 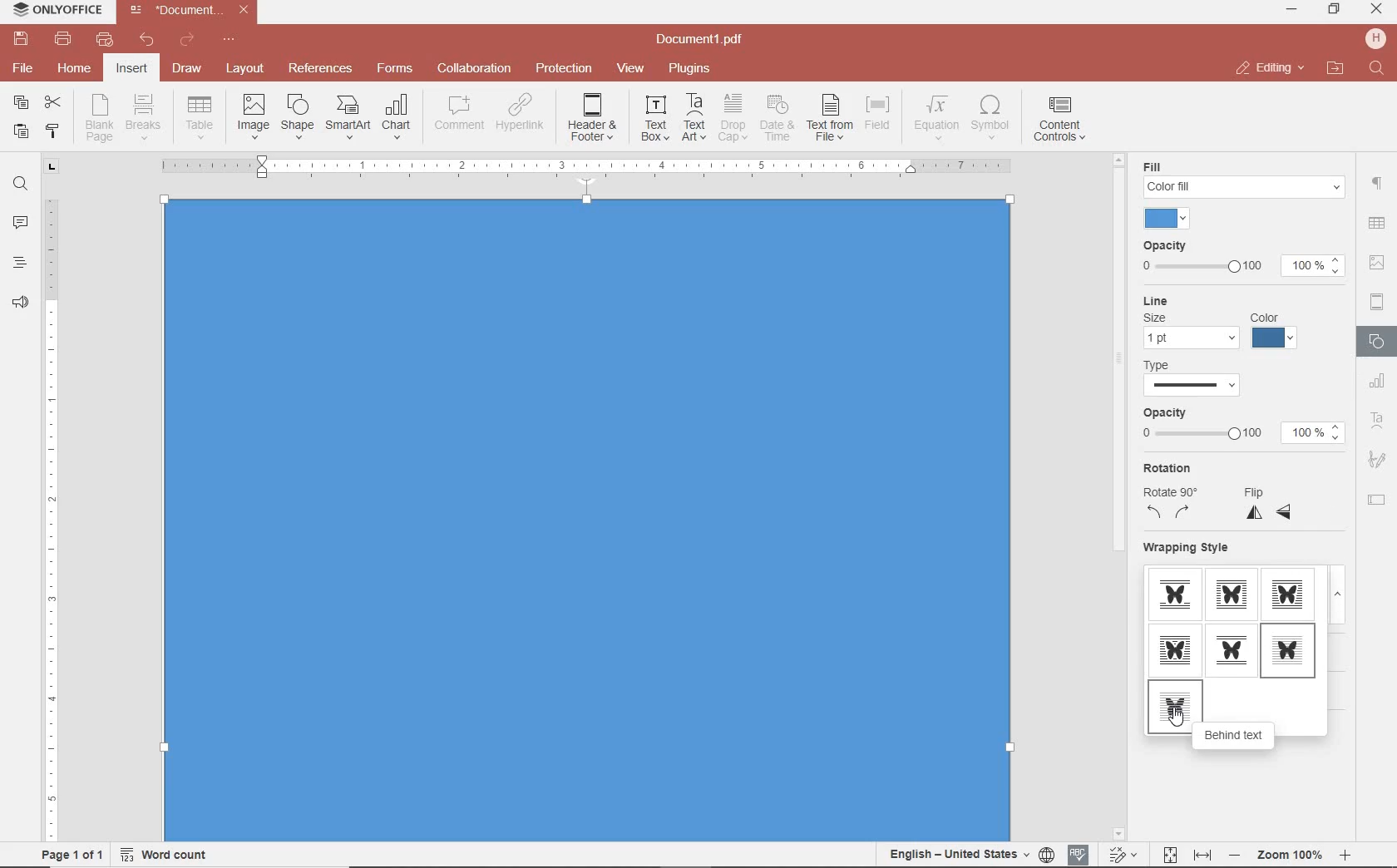 What do you see at coordinates (143, 118) in the screenshot?
I see `INSERT PAGE OR SECTION BREAK` at bounding box center [143, 118].